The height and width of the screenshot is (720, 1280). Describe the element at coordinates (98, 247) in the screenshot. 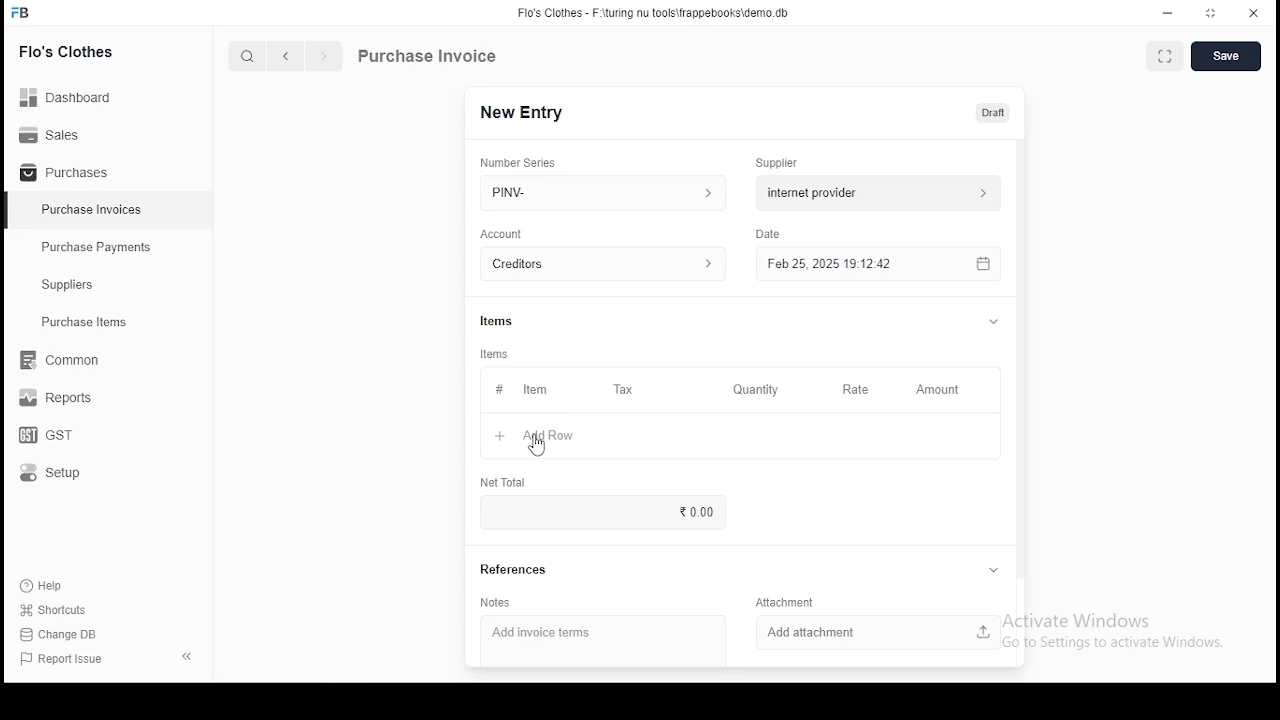

I see `‘Purchase Payments` at that location.